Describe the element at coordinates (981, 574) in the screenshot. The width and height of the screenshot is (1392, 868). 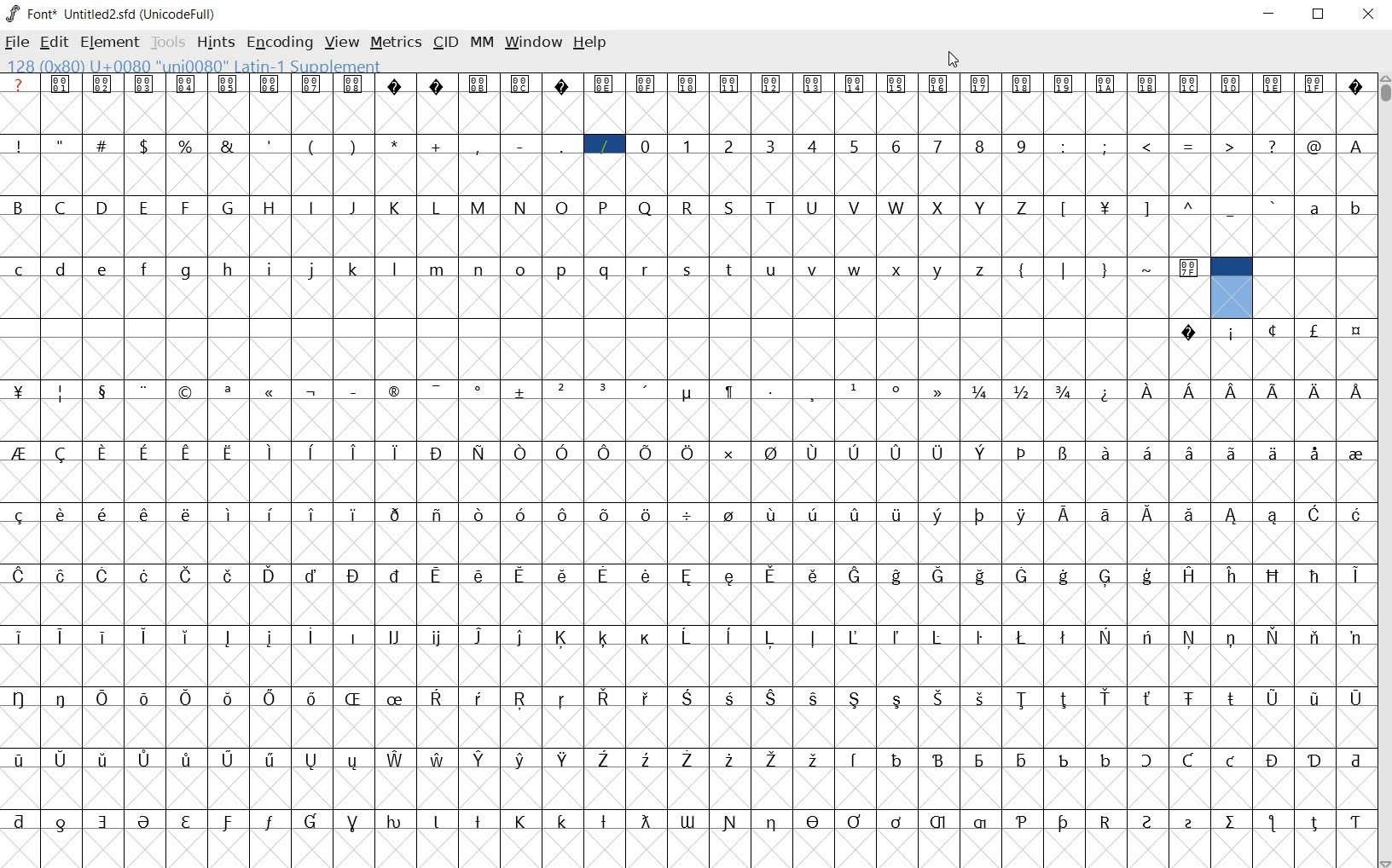
I see `Symbol` at that location.